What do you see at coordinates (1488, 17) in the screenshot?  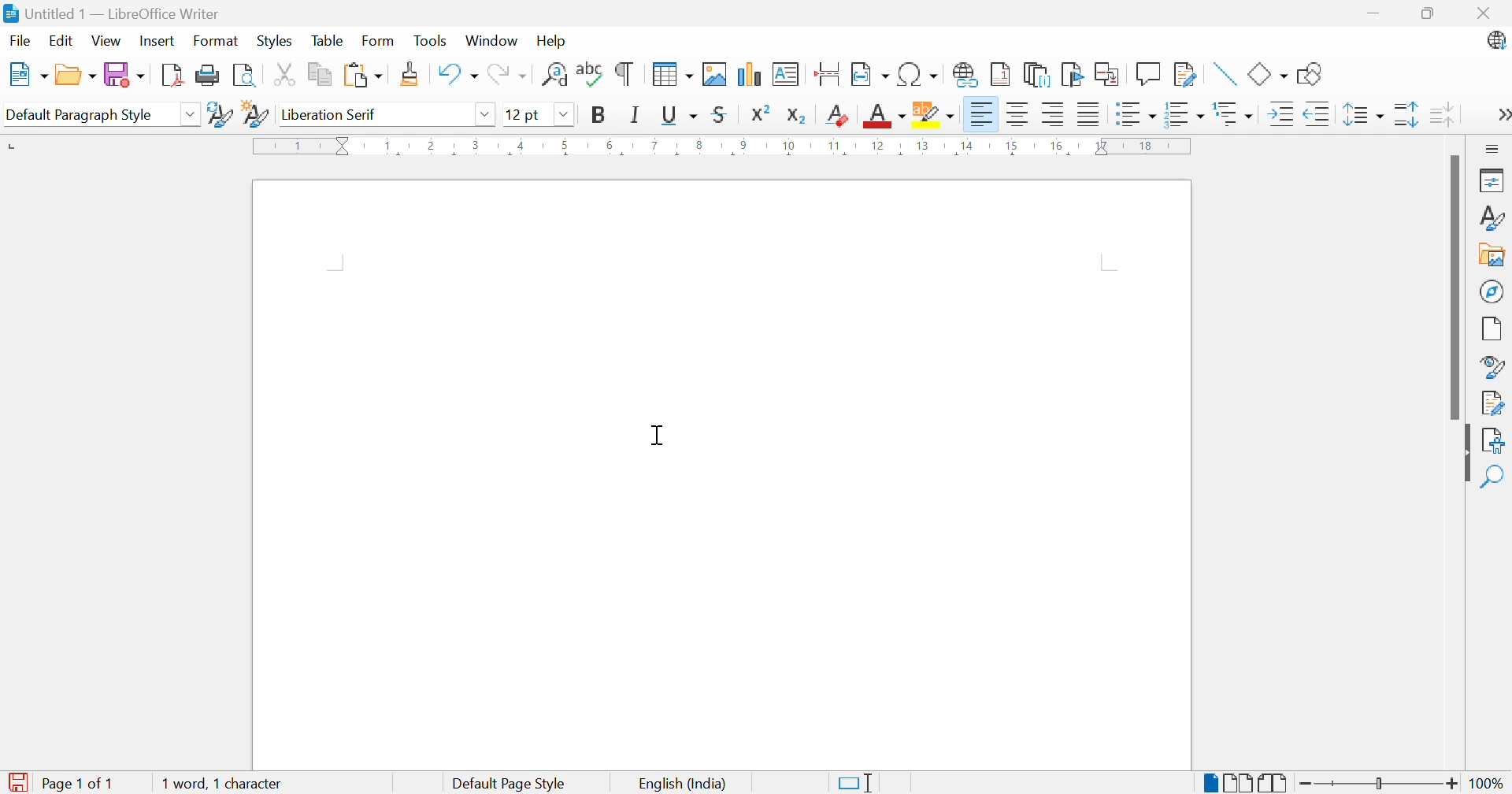 I see `Close` at bounding box center [1488, 17].